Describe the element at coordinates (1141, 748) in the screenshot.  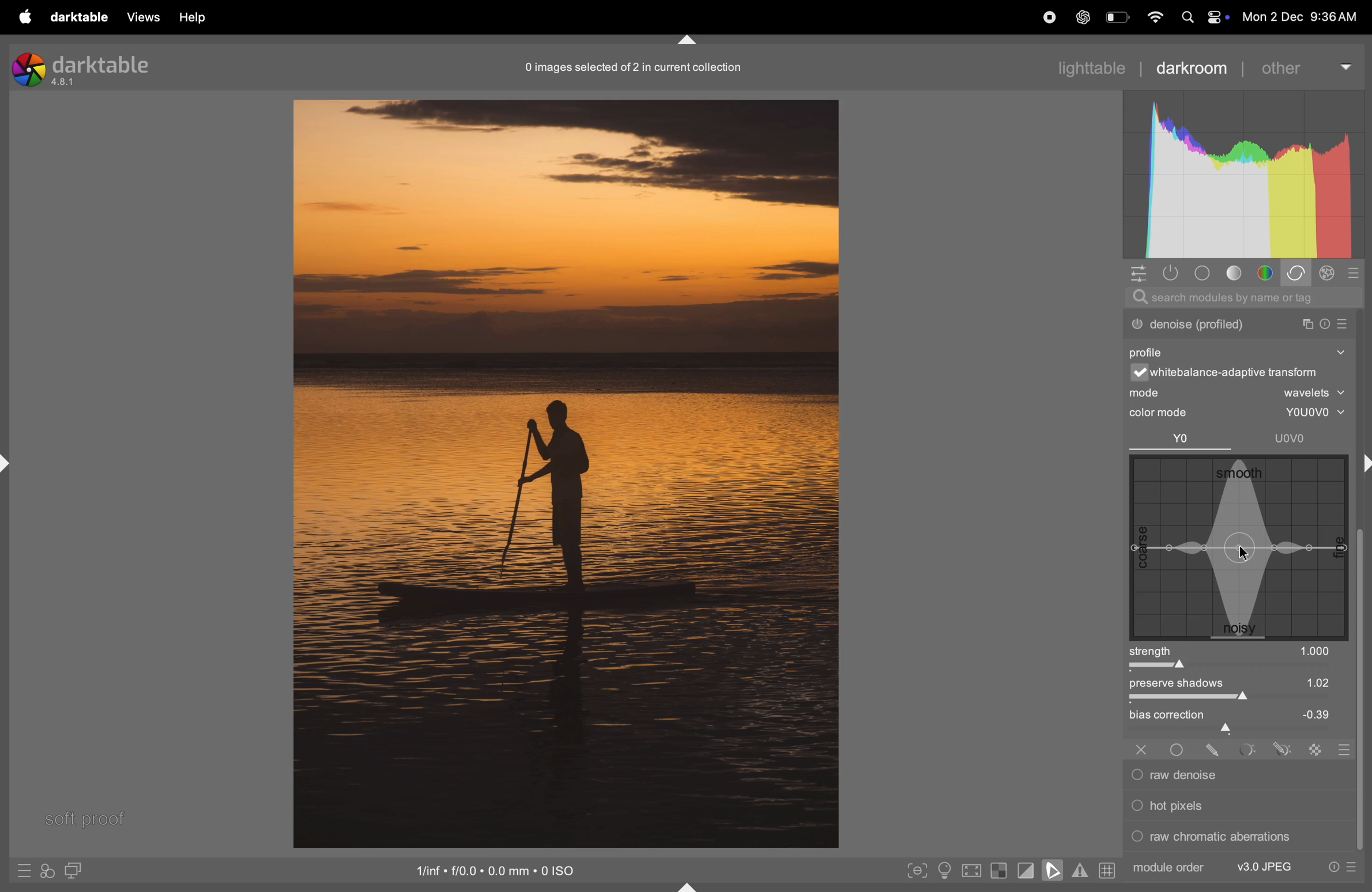
I see `x-sign` at that location.